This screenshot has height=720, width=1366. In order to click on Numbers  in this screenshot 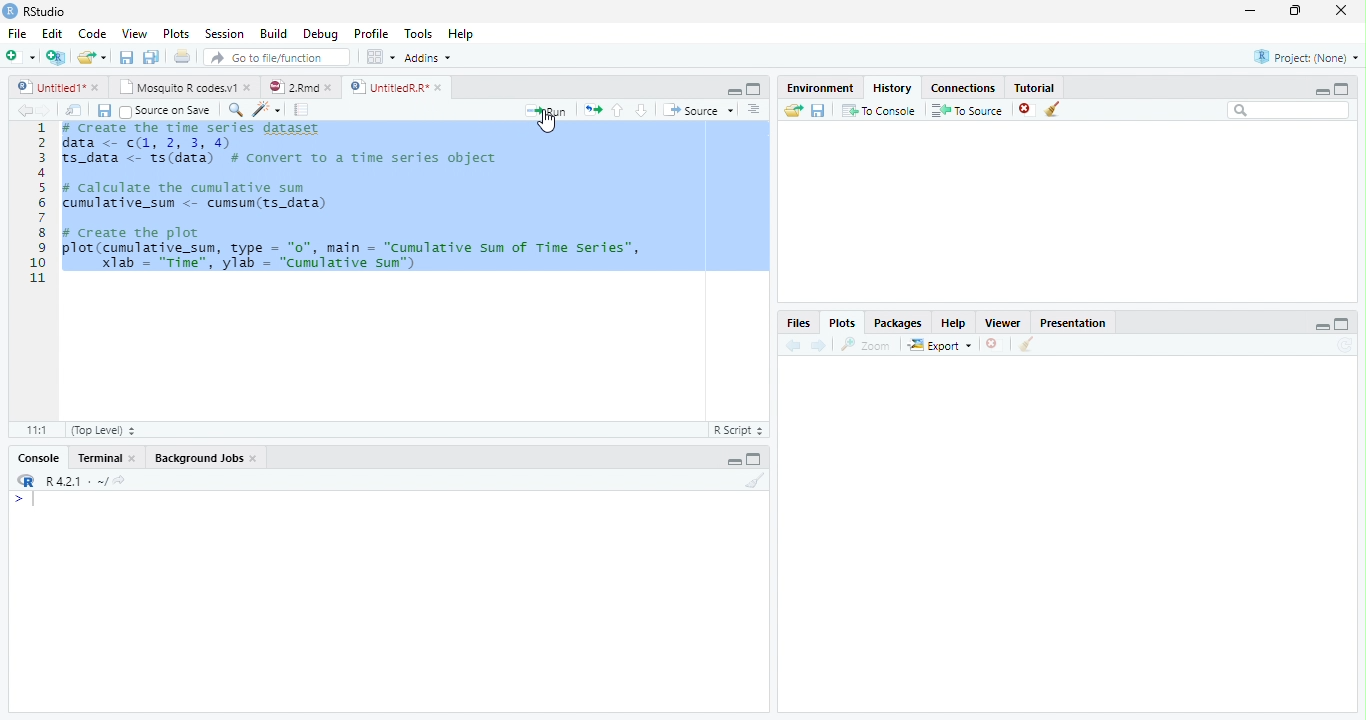, I will do `click(40, 205)`.